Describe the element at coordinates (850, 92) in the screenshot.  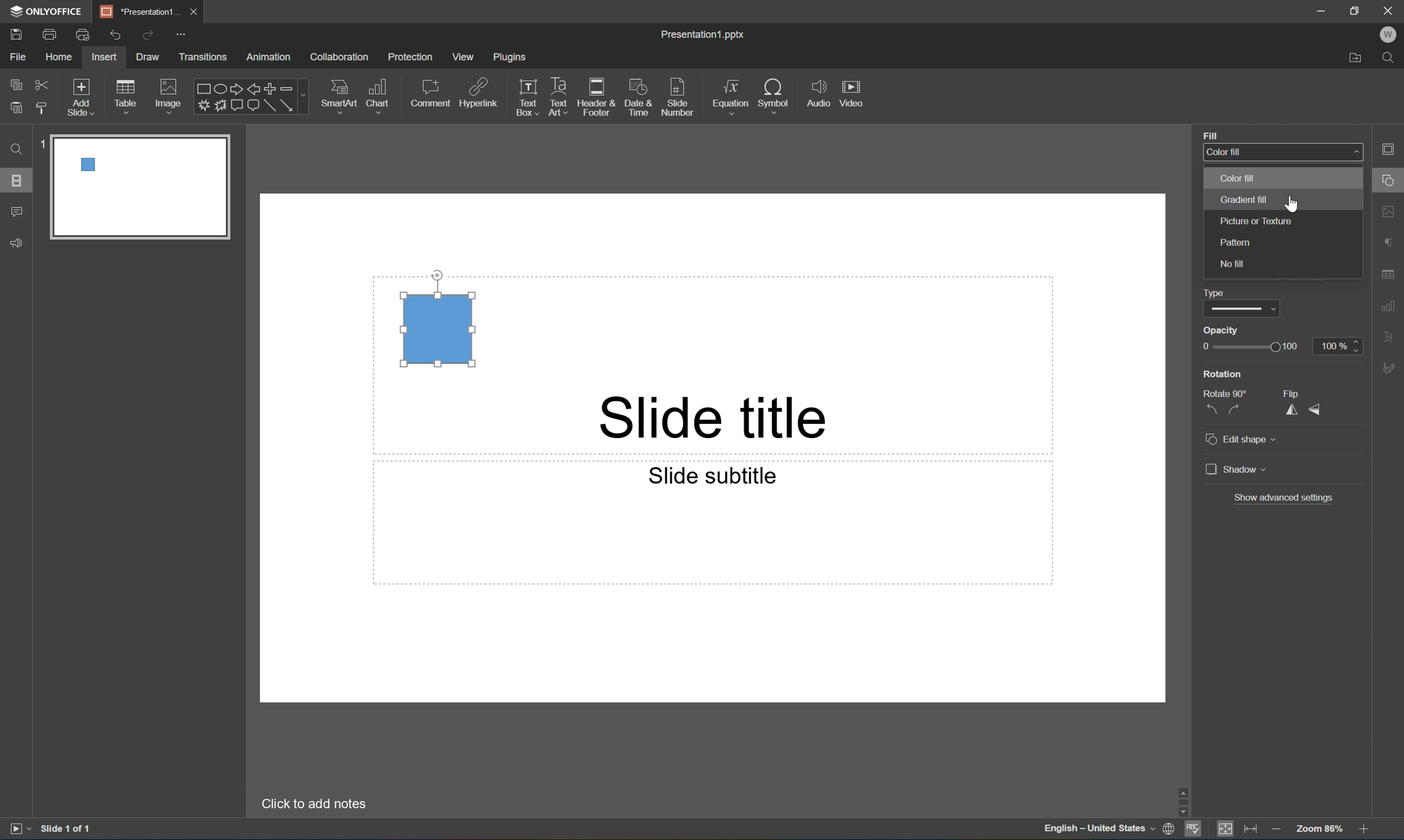
I see `Video` at that location.